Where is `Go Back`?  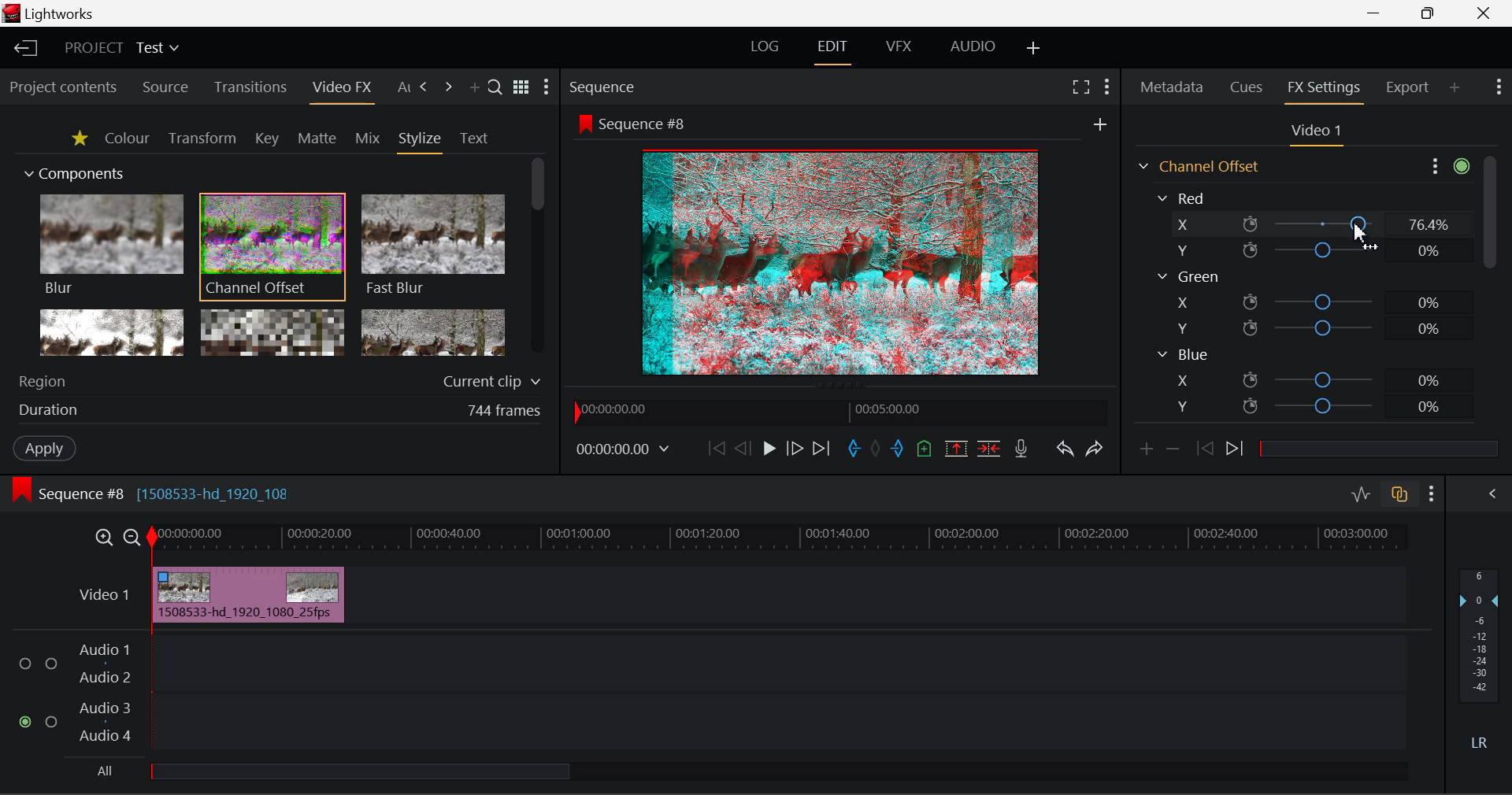 Go Back is located at coordinates (741, 449).